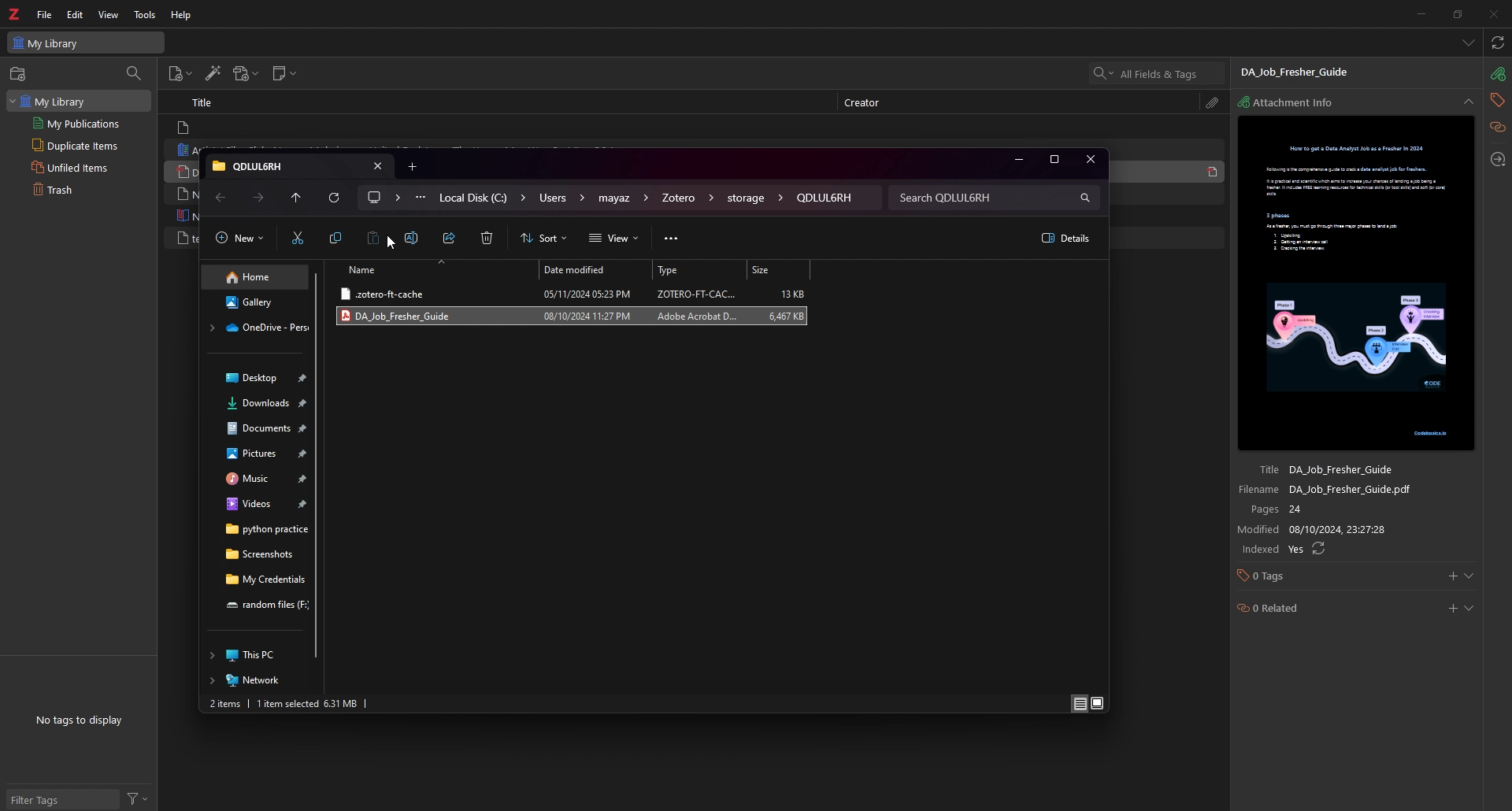 The width and height of the screenshot is (1512, 811). Describe the element at coordinates (285, 73) in the screenshot. I see `new note` at that location.